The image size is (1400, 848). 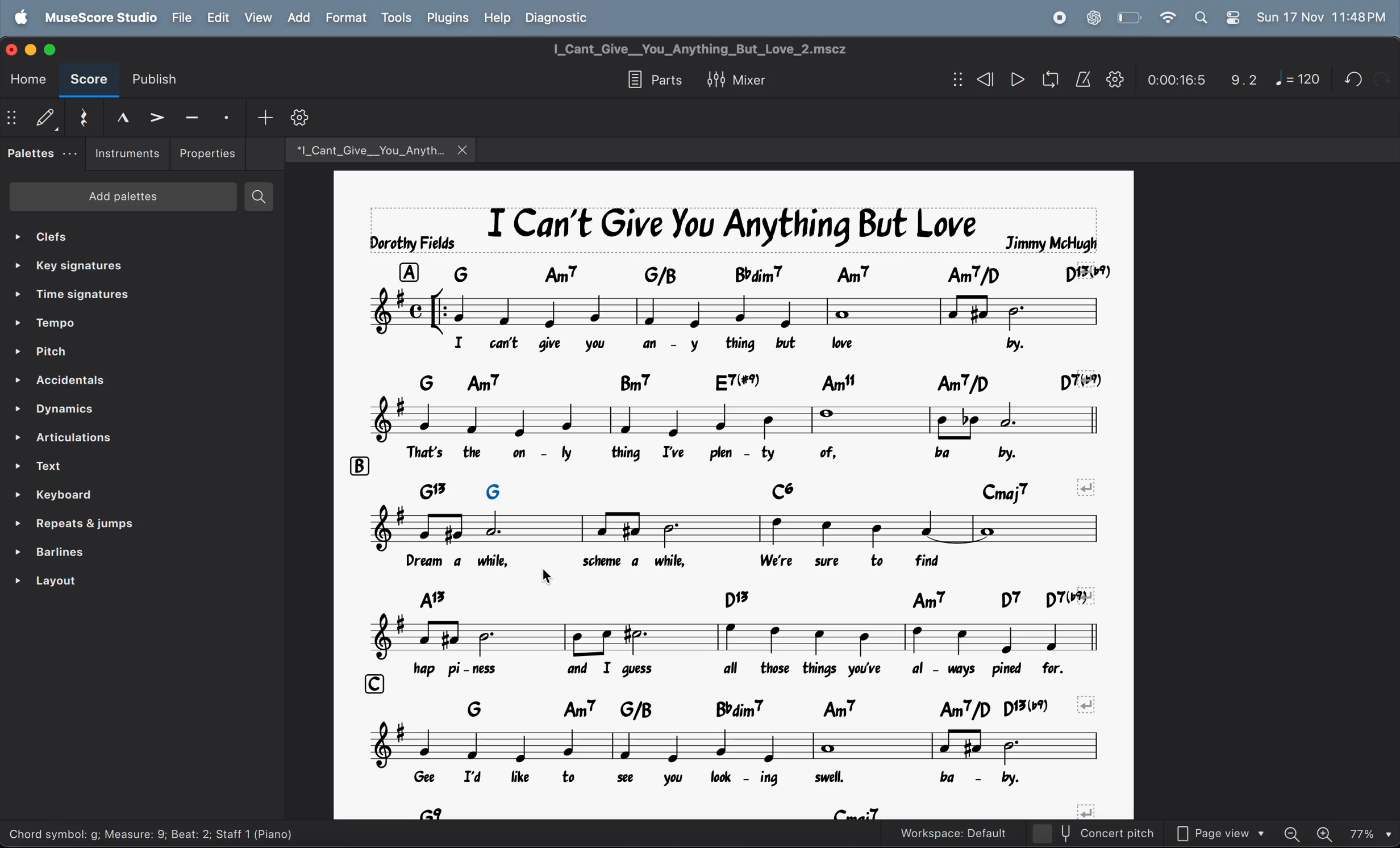 I want to click on battery, so click(x=1130, y=17).